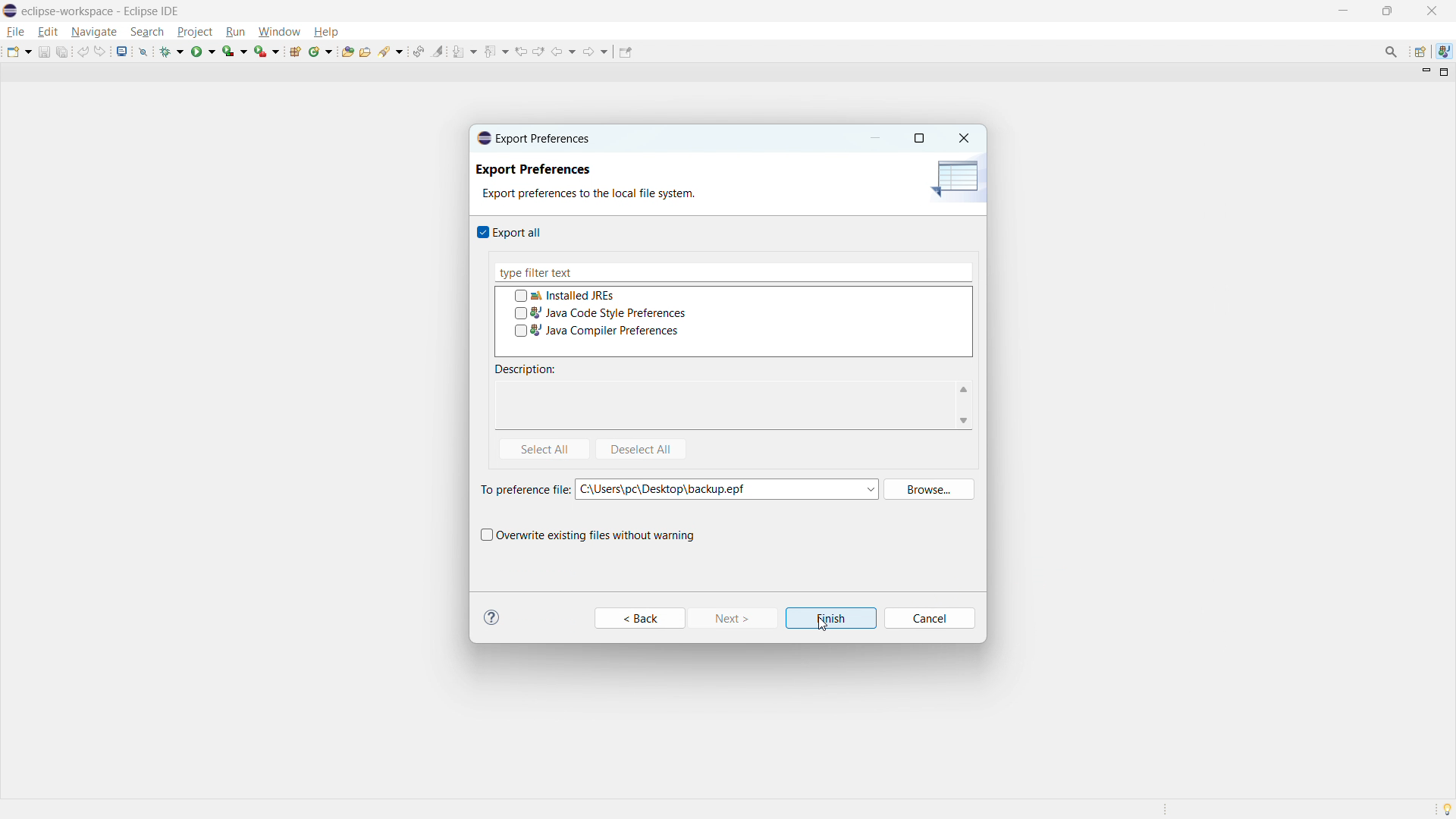  Describe the element at coordinates (964, 419) in the screenshot. I see `scroll down` at that location.